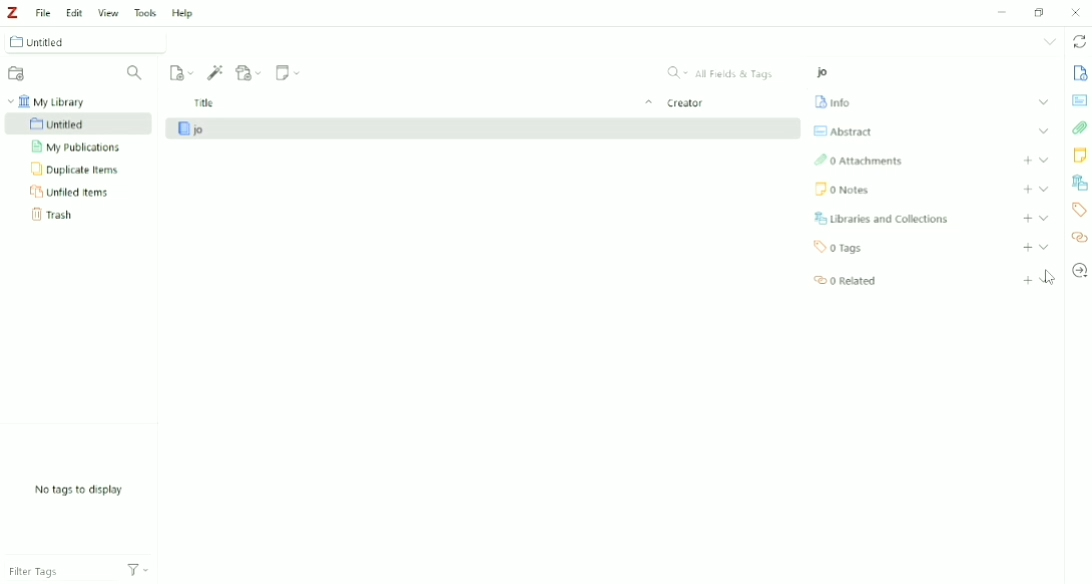  What do you see at coordinates (12, 13) in the screenshot?
I see `Logo` at bounding box center [12, 13].